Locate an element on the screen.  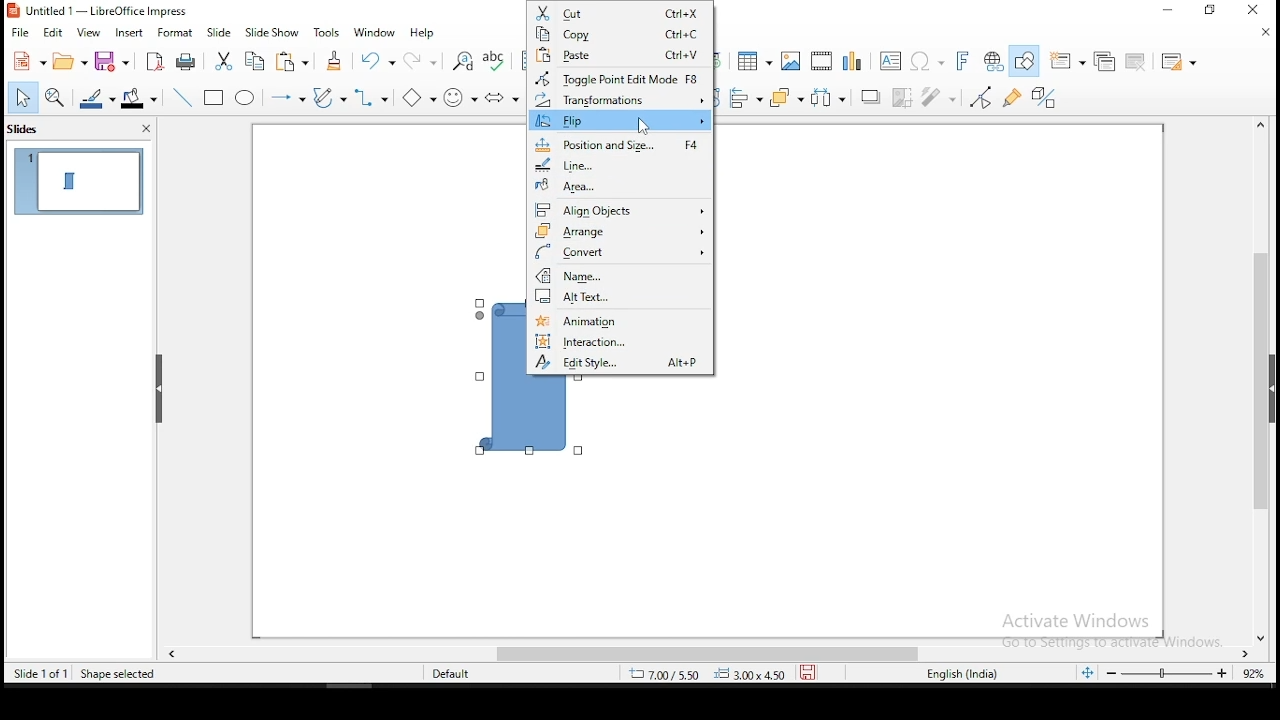
0.00x0.00 is located at coordinates (750, 677).